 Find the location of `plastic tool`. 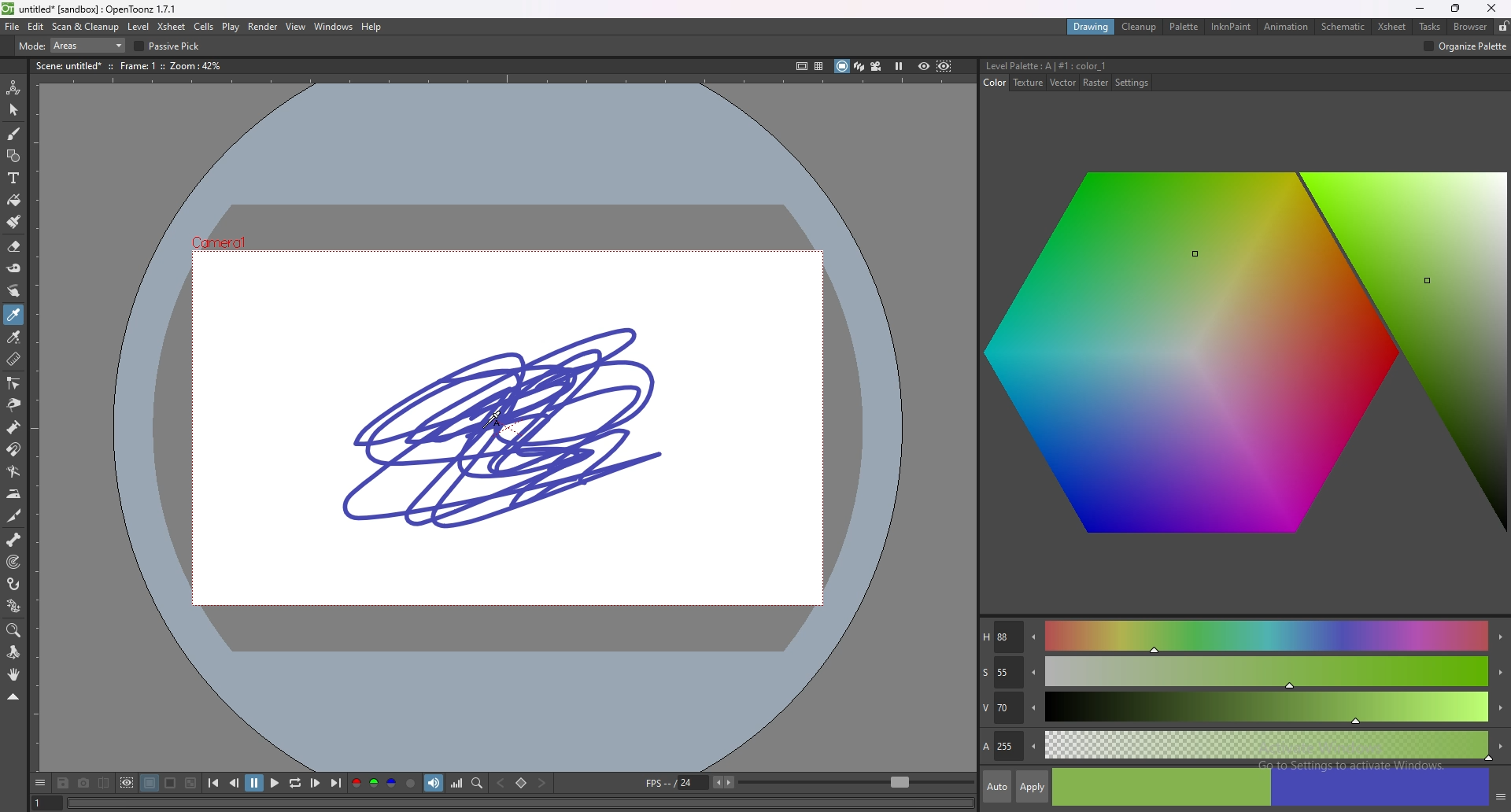

plastic tool is located at coordinates (14, 605).